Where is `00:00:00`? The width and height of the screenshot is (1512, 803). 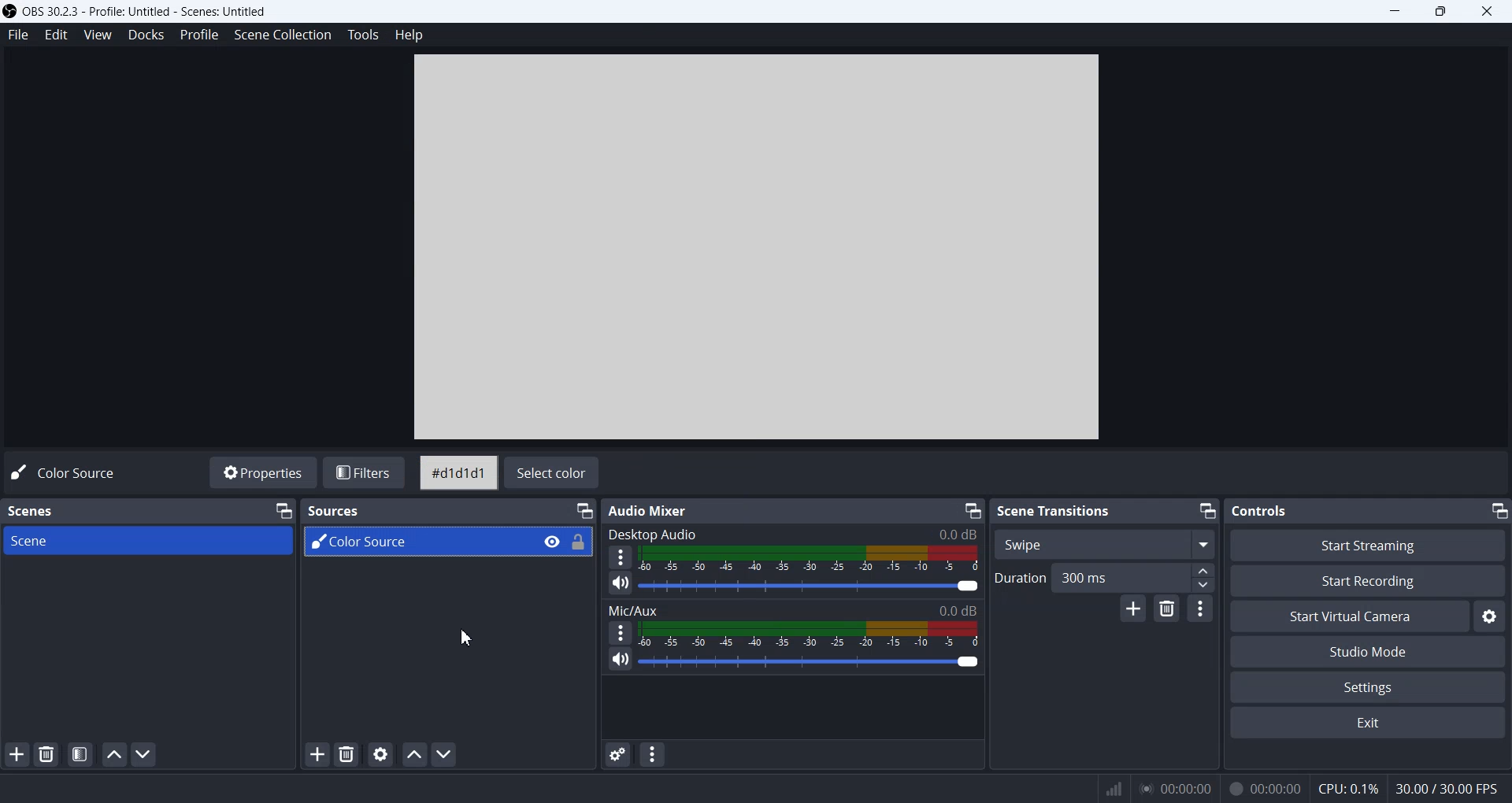
00:00:00 is located at coordinates (1263, 786).